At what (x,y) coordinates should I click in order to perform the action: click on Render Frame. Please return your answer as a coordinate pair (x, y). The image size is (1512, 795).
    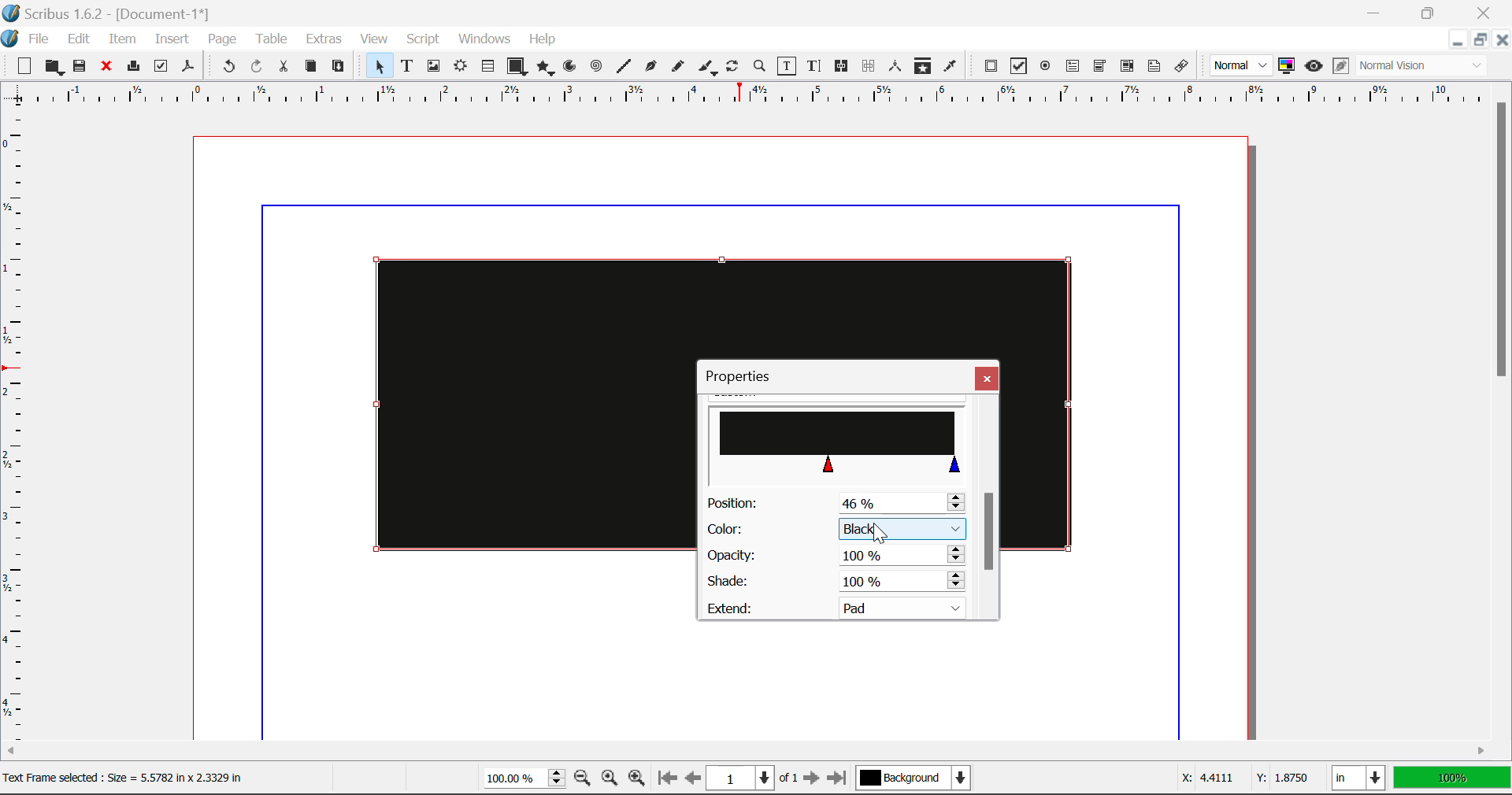
    Looking at the image, I should click on (460, 68).